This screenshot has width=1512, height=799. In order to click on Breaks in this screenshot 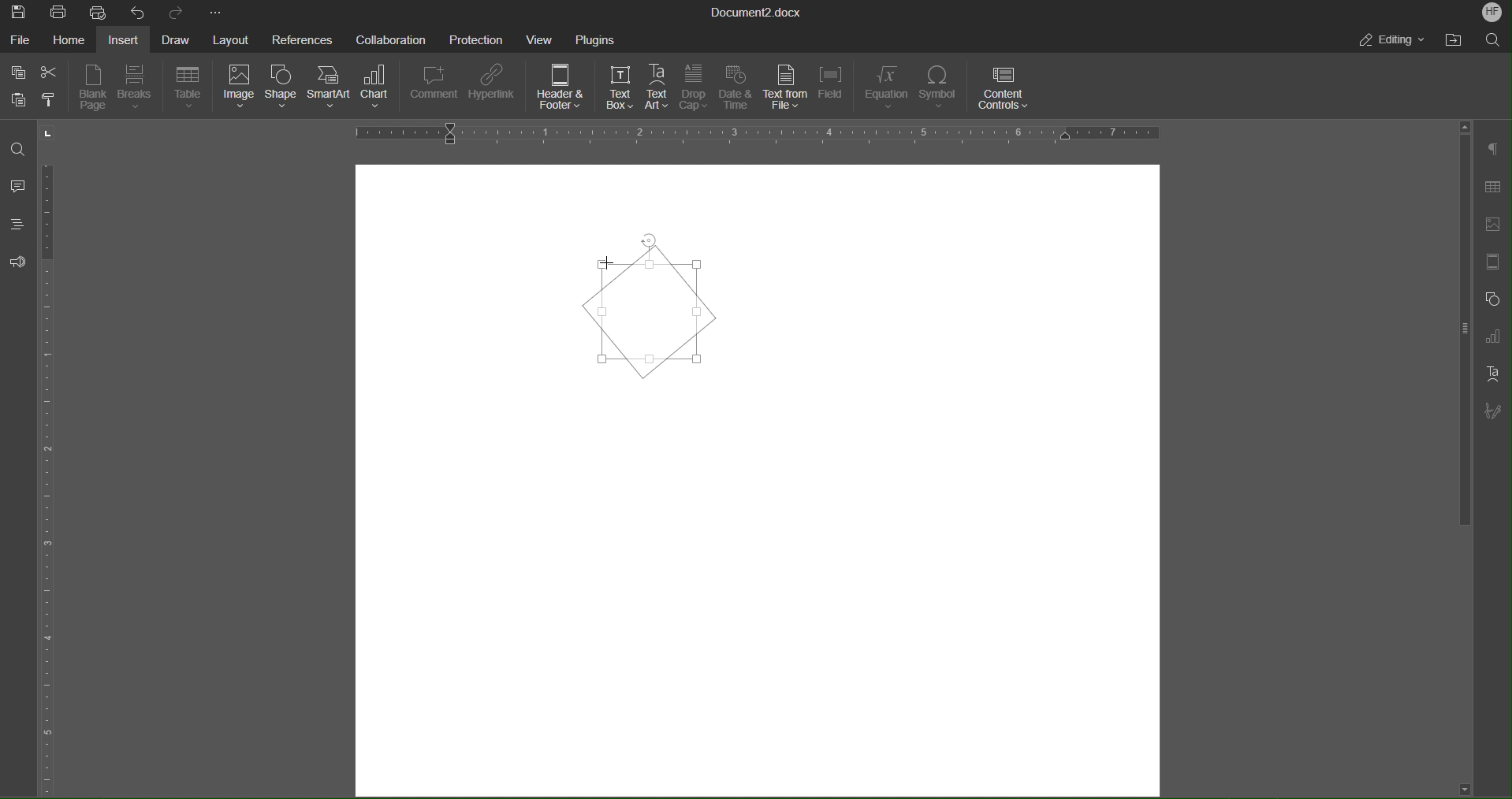, I will do `click(138, 88)`.